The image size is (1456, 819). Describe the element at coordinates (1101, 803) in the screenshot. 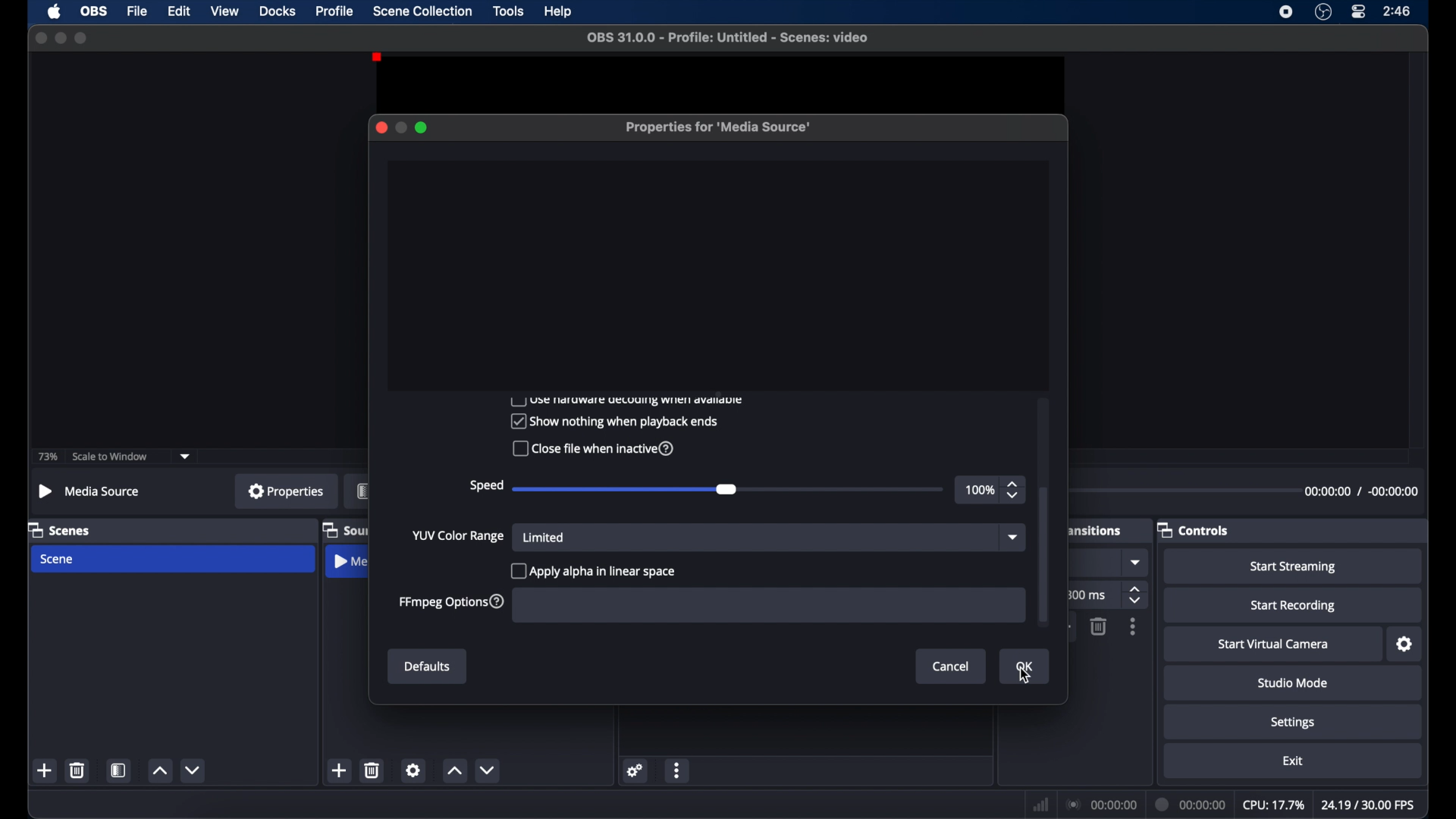

I see `connection` at that location.